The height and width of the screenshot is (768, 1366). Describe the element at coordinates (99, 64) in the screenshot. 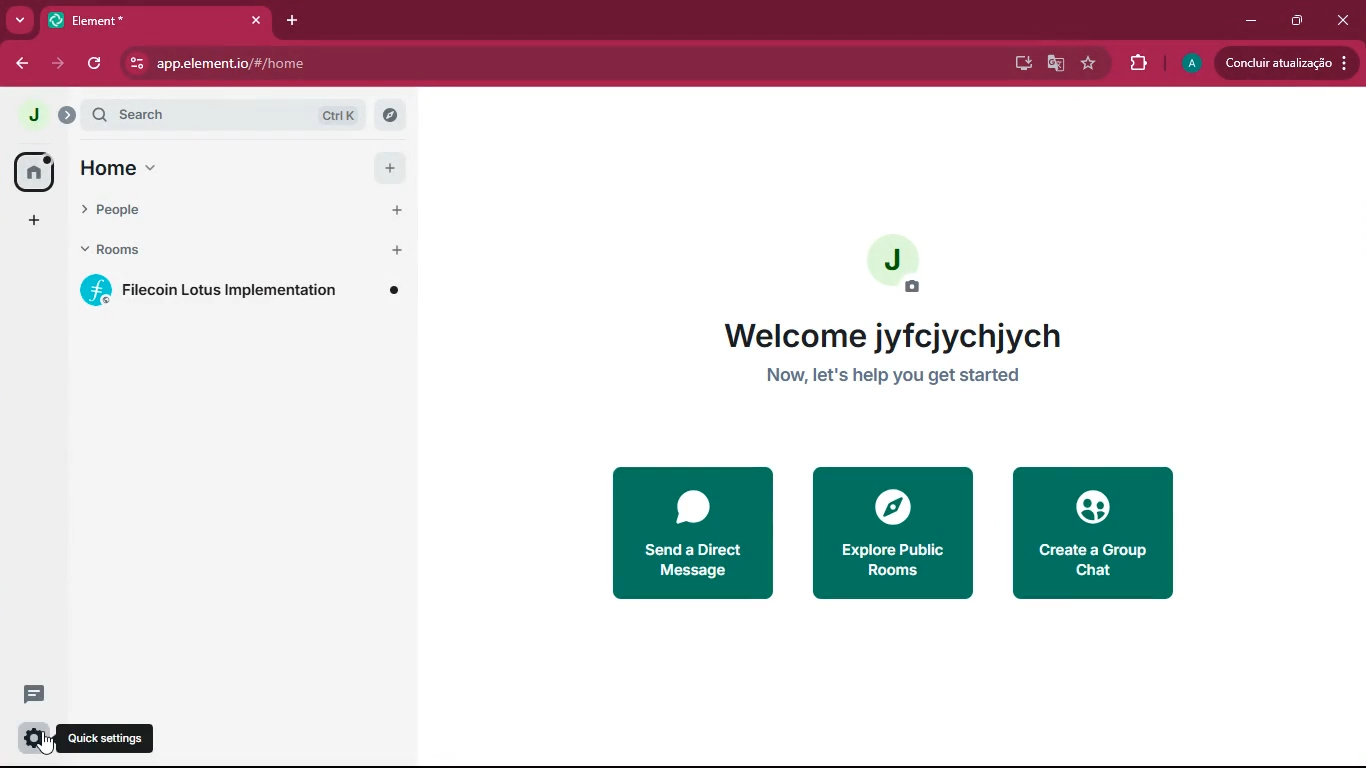

I see `refresh` at that location.